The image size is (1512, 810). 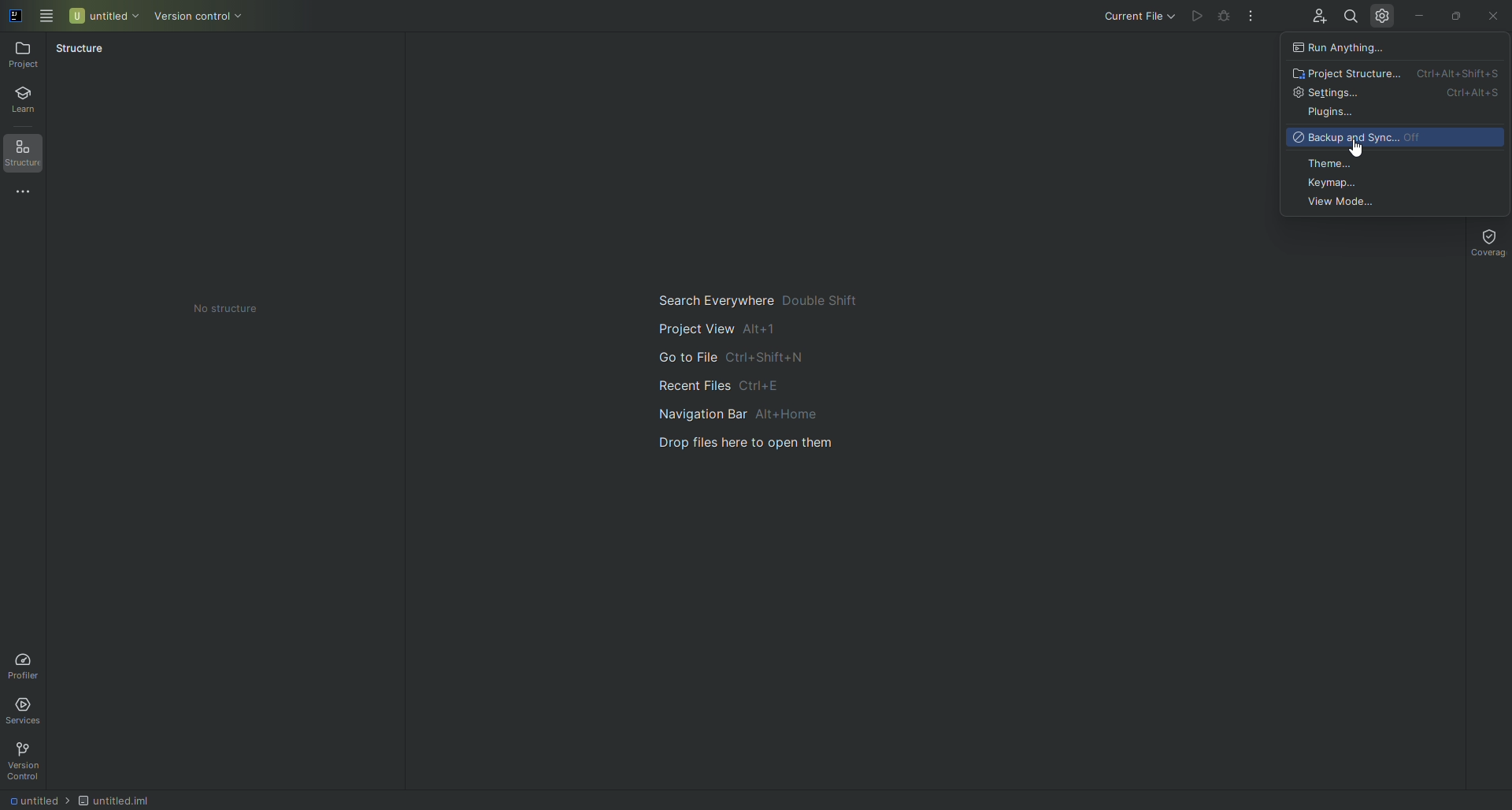 What do you see at coordinates (1492, 17) in the screenshot?
I see `Close` at bounding box center [1492, 17].